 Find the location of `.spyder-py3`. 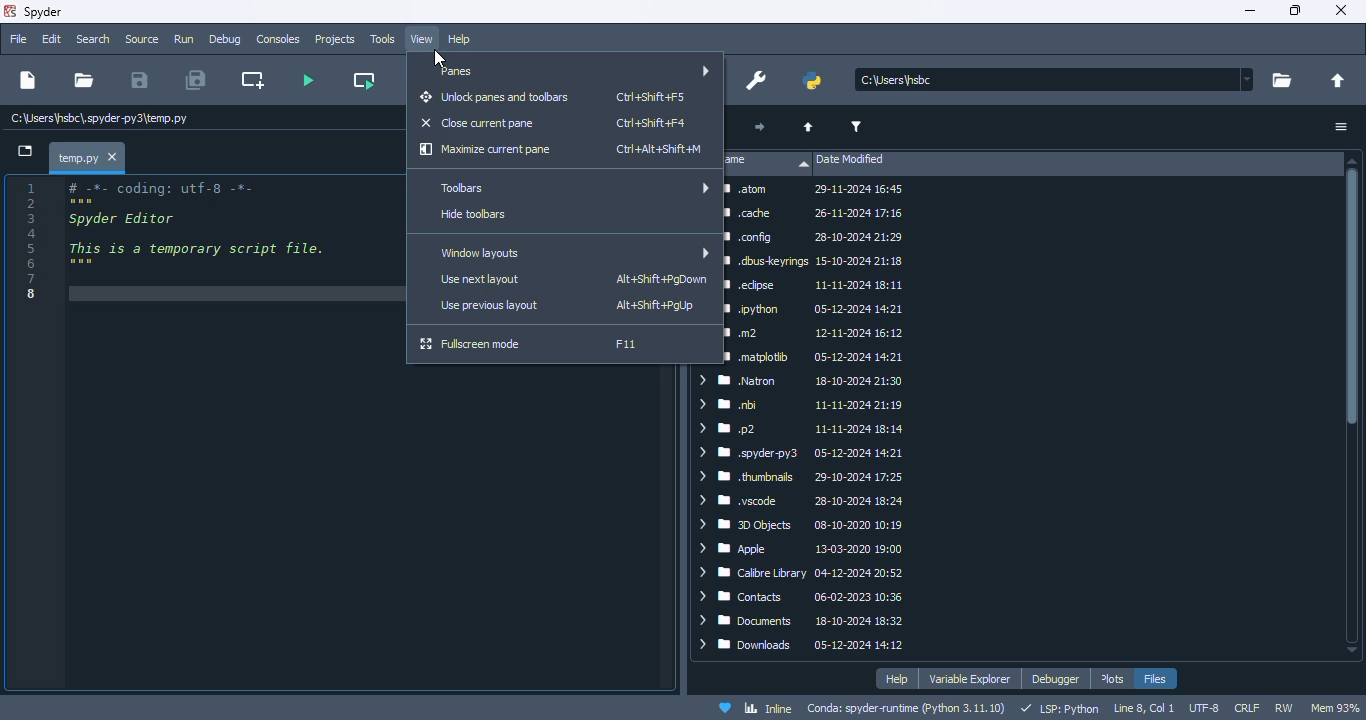

.spyder-py3 is located at coordinates (804, 453).